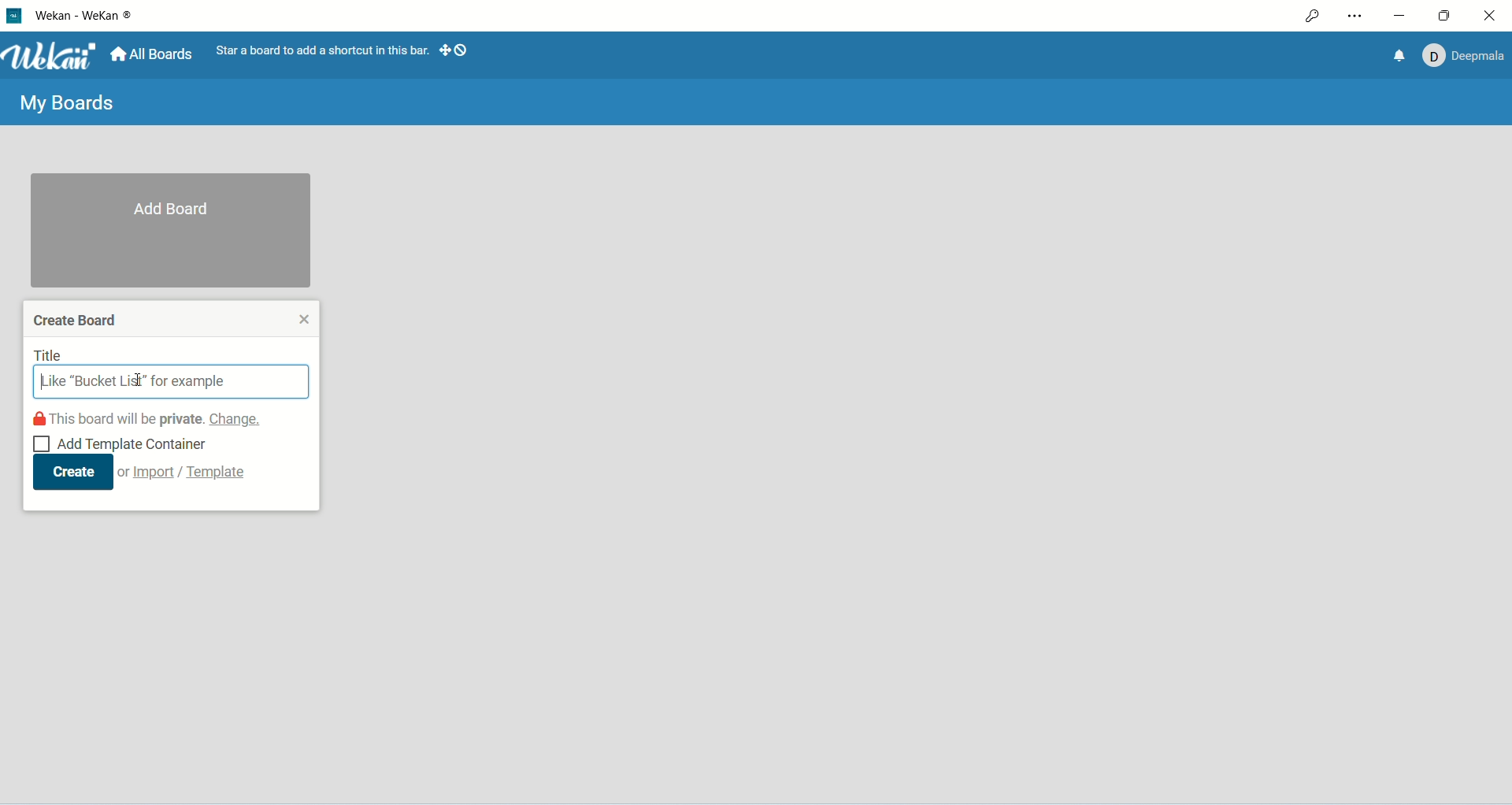 Image resolution: width=1512 pixels, height=805 pixels. I want to click on or import/template, so click(183, 472).